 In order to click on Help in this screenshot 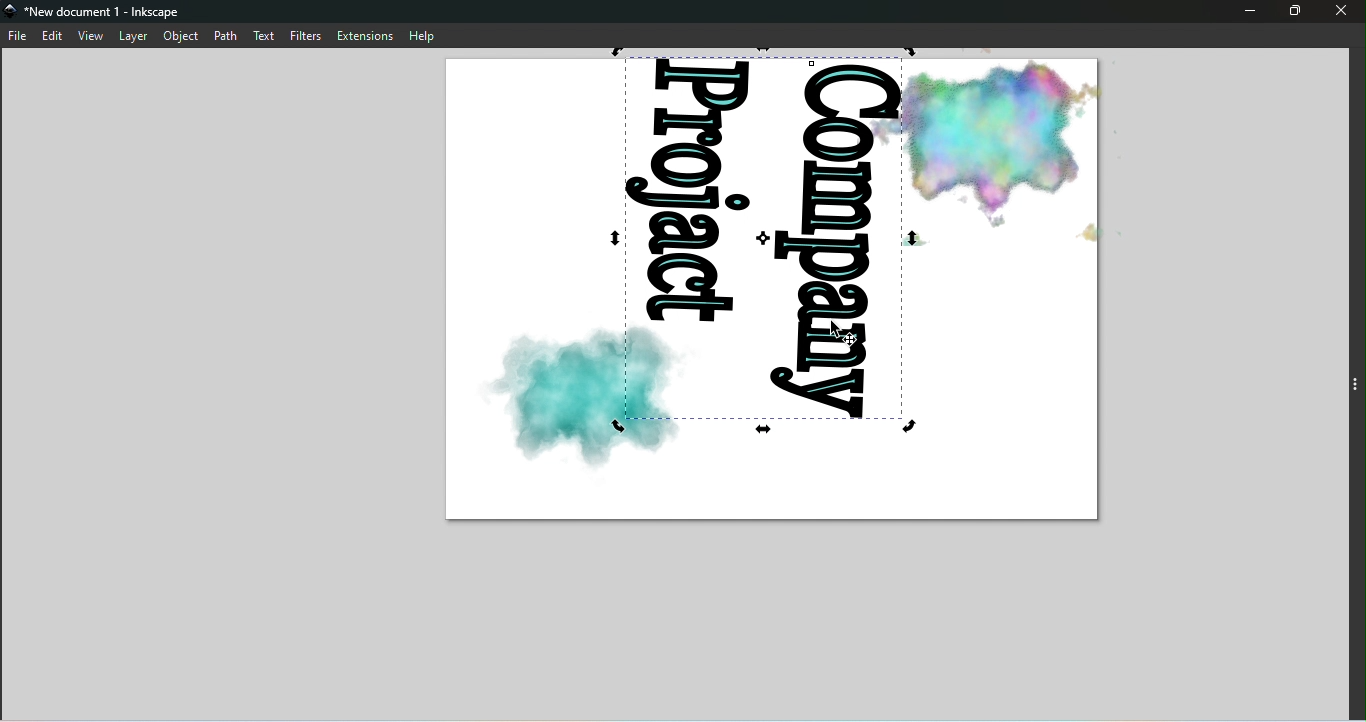, I will do `click(421, 36)`.